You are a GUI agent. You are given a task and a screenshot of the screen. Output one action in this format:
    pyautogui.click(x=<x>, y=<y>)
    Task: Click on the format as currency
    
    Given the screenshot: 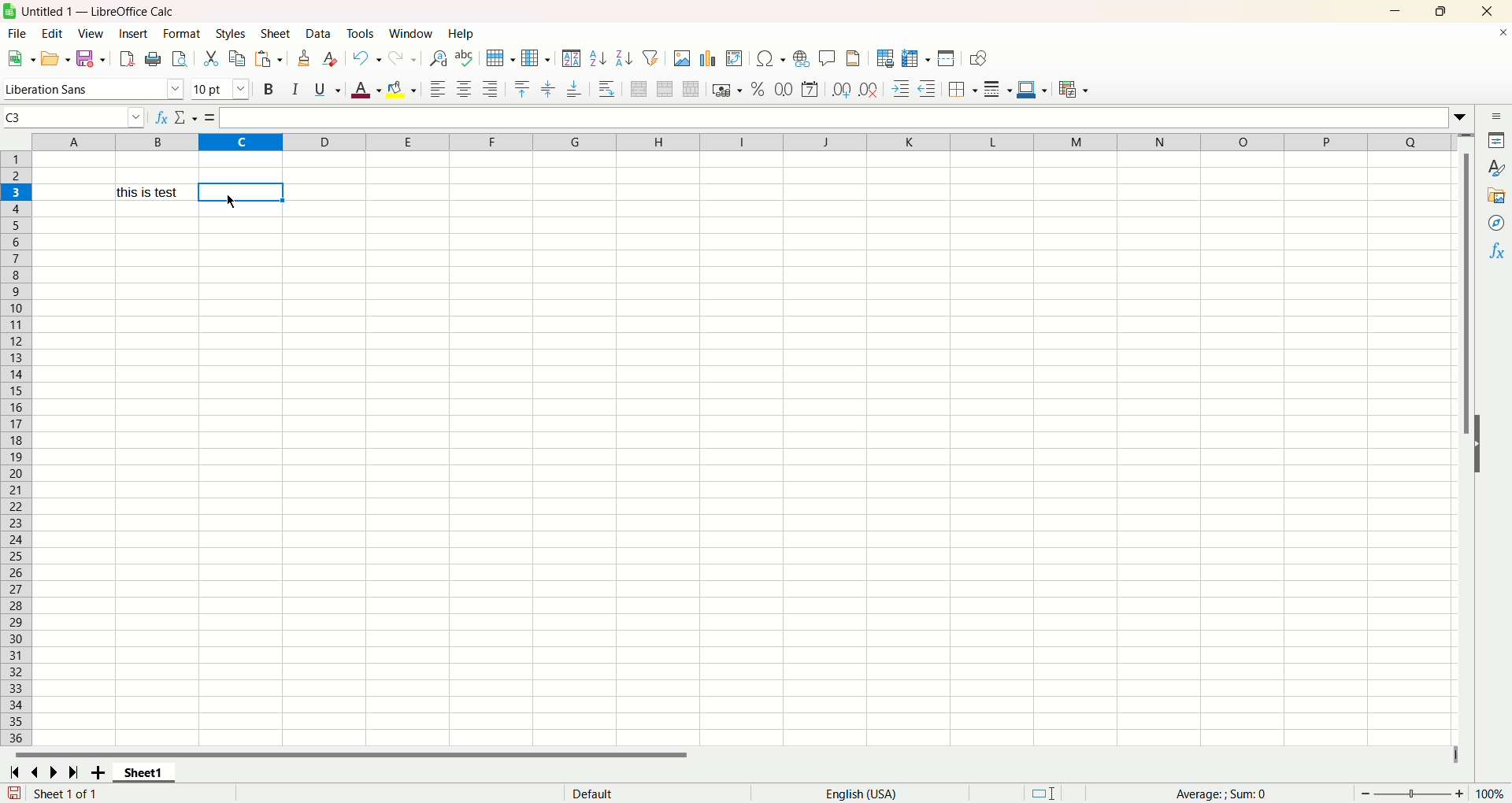 What is the action you would take?
    pyautogui.click(x=727, y=88)
    